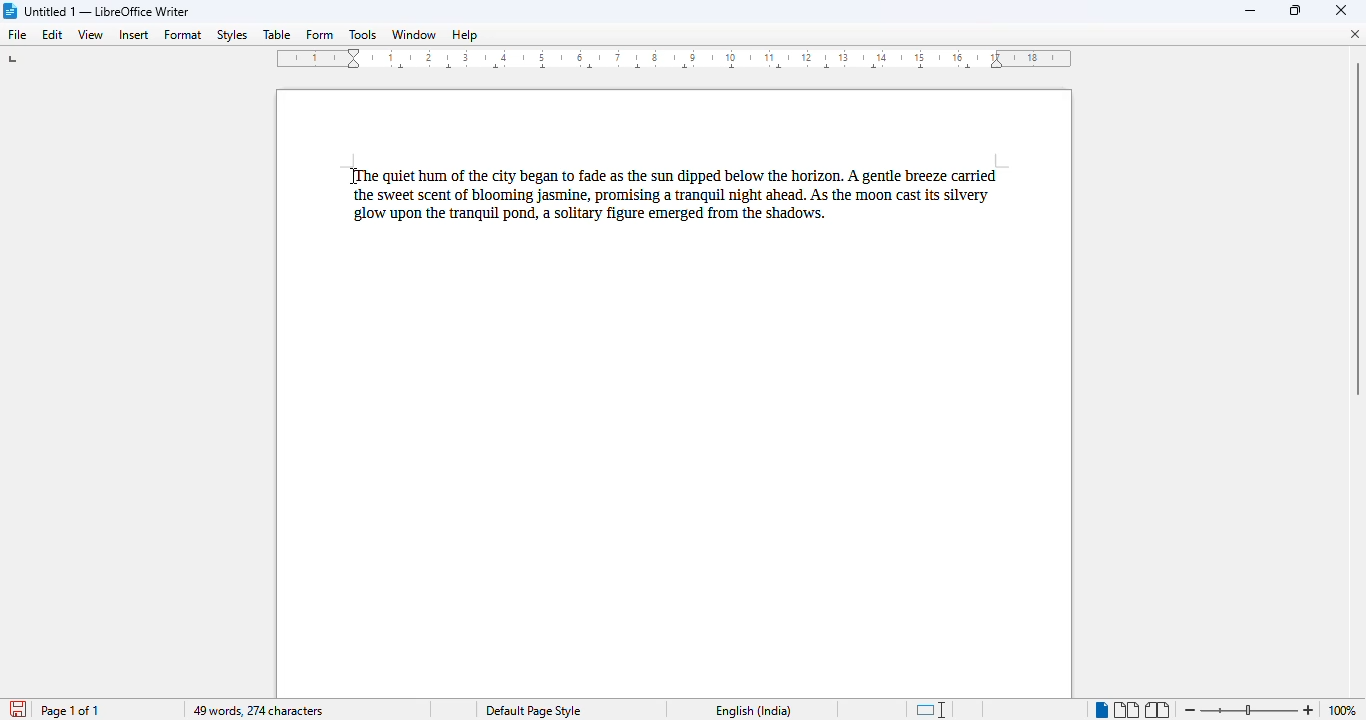  Describe the element at coordinates (1251, 12) in the screenshot. I see `minimize` at that location.